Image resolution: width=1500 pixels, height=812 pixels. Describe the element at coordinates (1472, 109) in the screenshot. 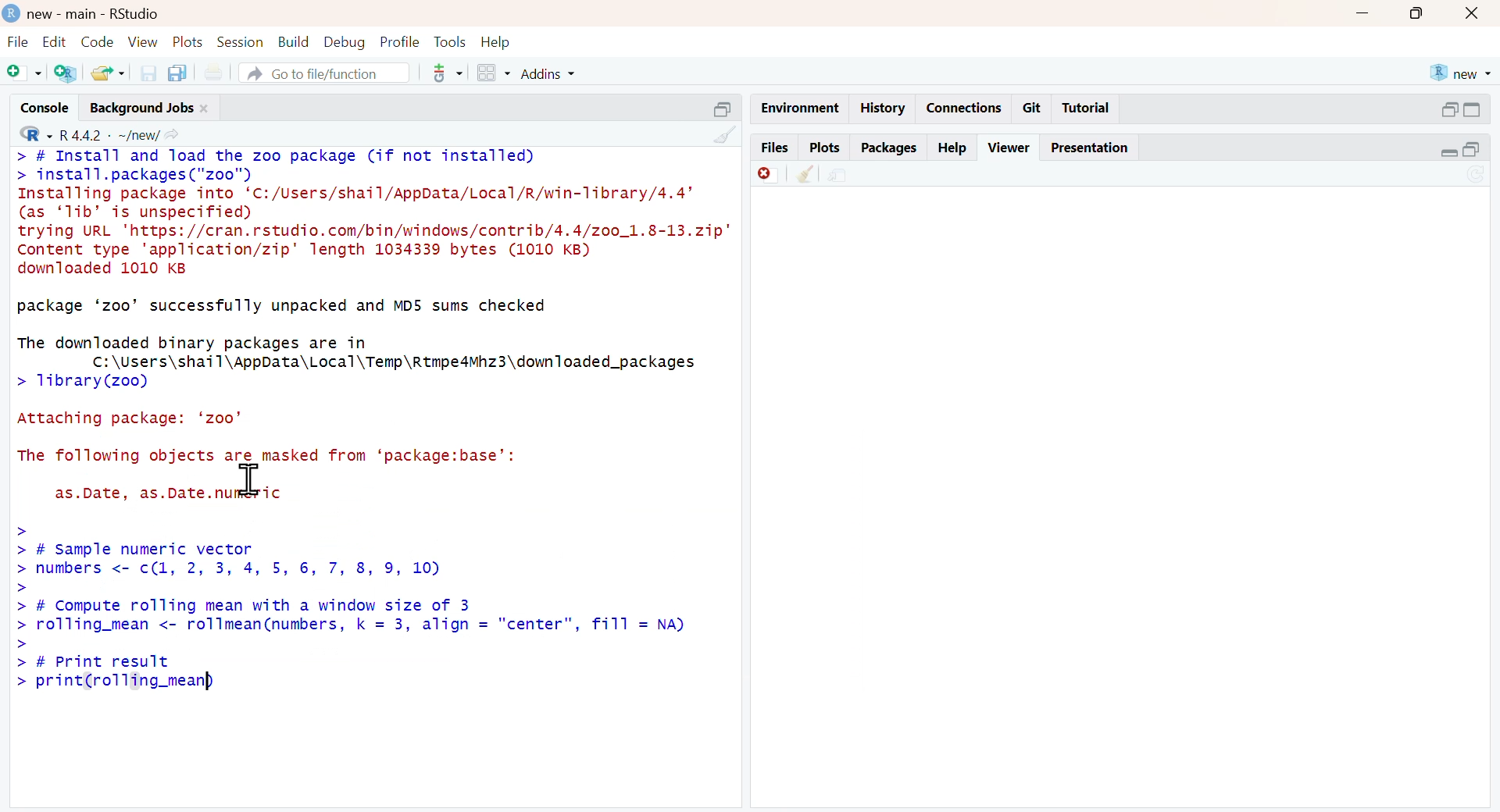

I see `switch to full view` at that location.